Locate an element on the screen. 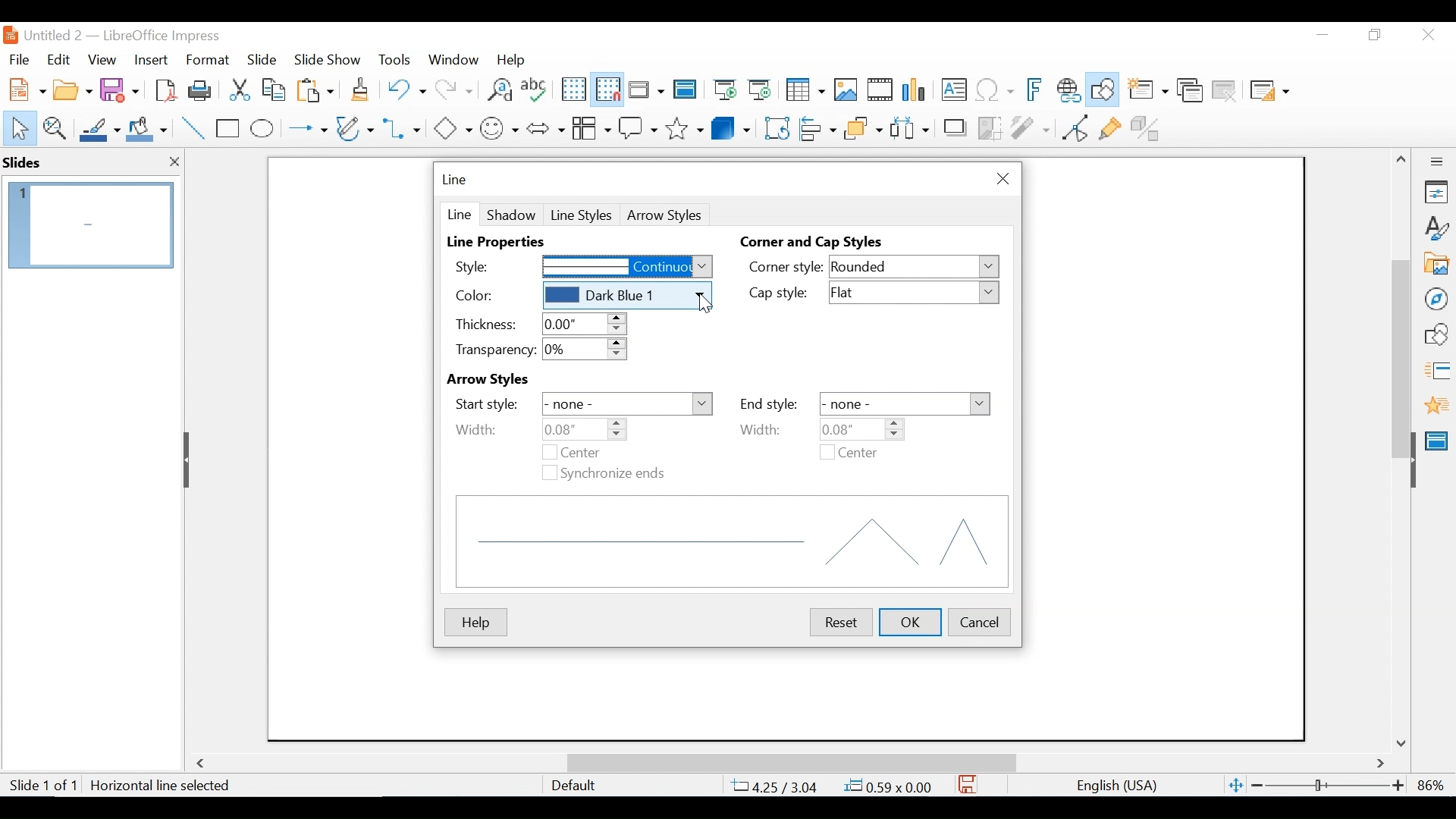  Horizontal Scrollbar is located at coordinates (790, 762).